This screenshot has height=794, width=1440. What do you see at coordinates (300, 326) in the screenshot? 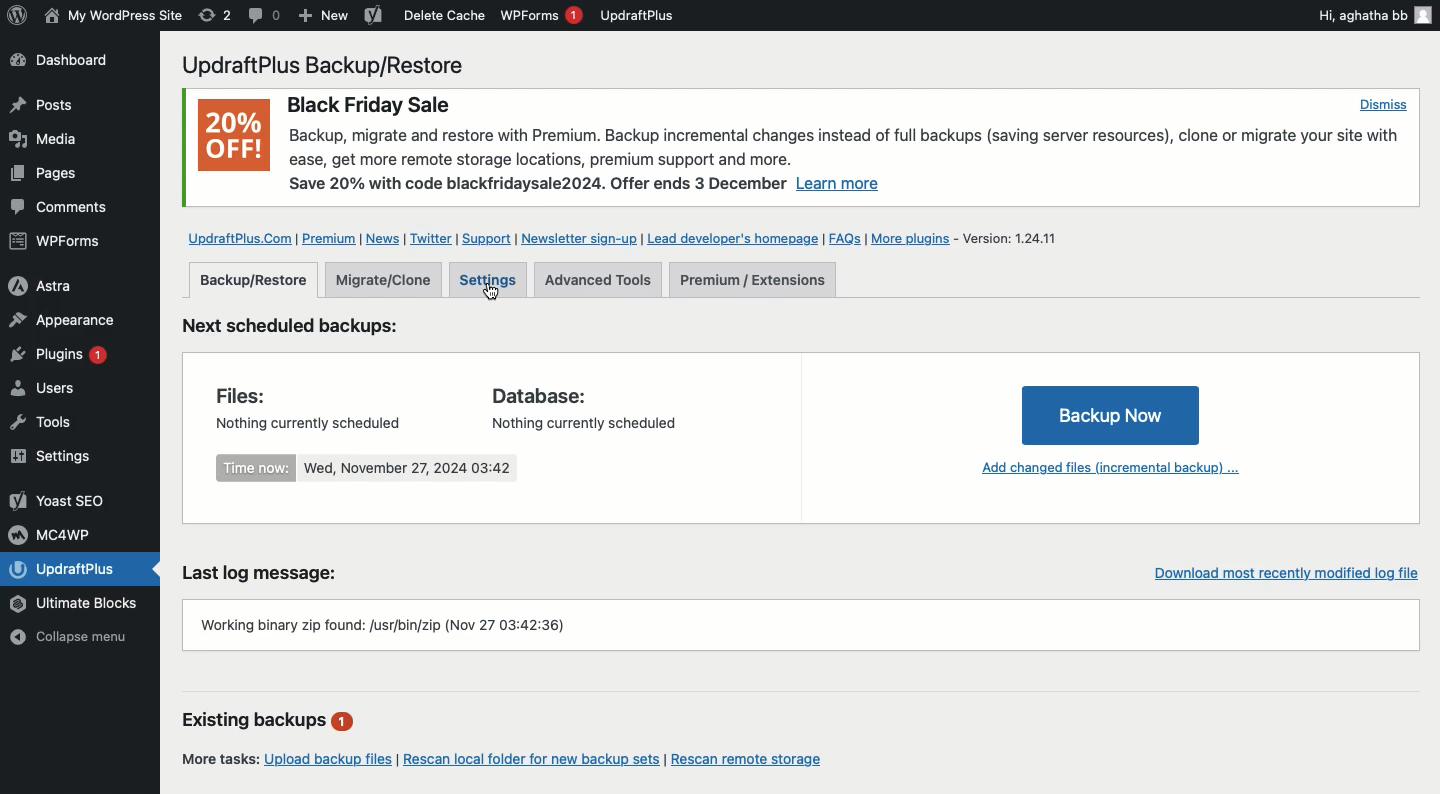
I see `Next scheduled backups` at bounding box center [300, 326].